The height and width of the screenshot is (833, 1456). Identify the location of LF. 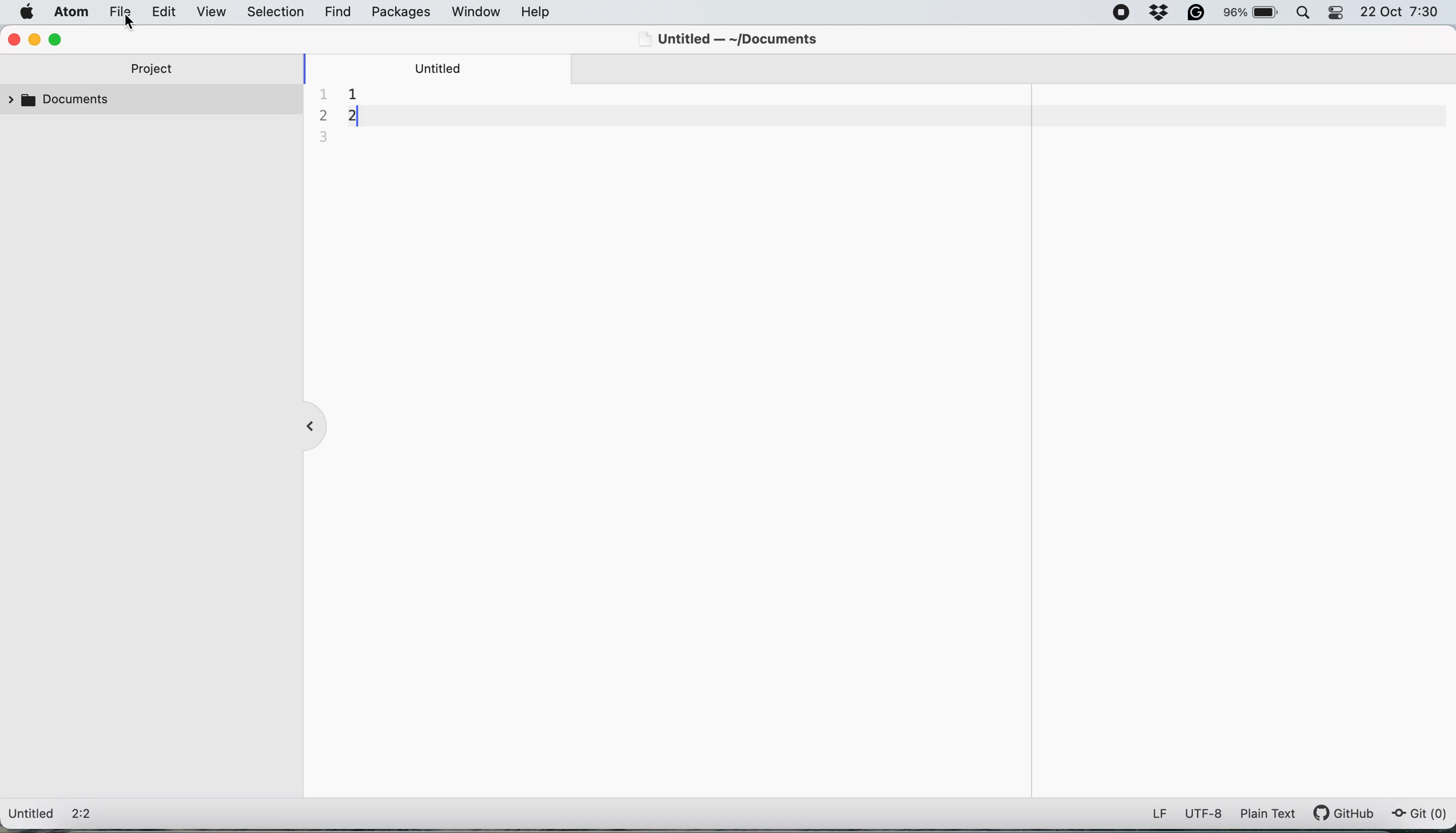
(1160, 814).